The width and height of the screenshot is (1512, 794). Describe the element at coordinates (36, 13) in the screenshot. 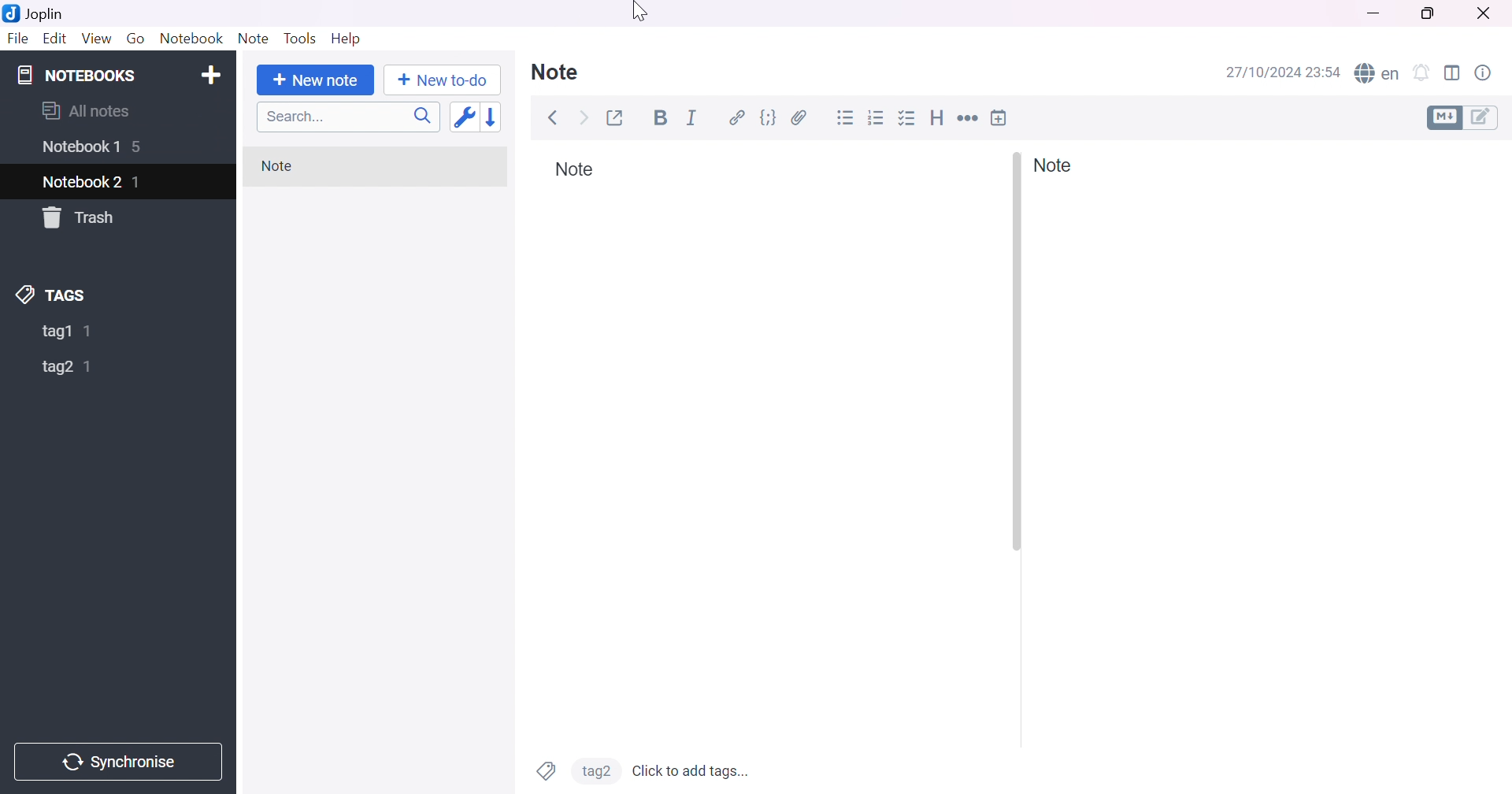

I see `Joplin` at that location.